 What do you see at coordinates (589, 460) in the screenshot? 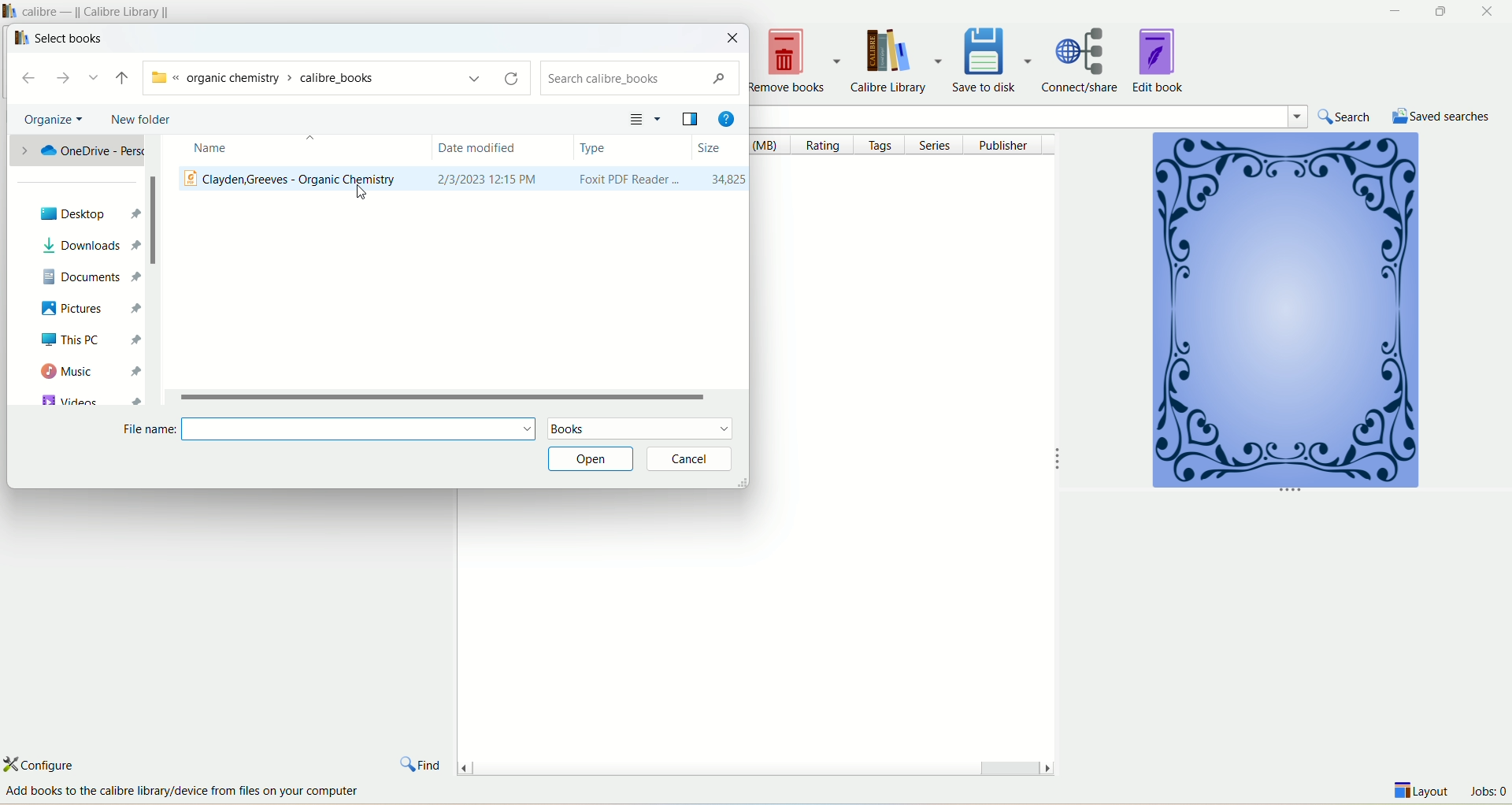
I see `open` at bounding box center [589, 460].